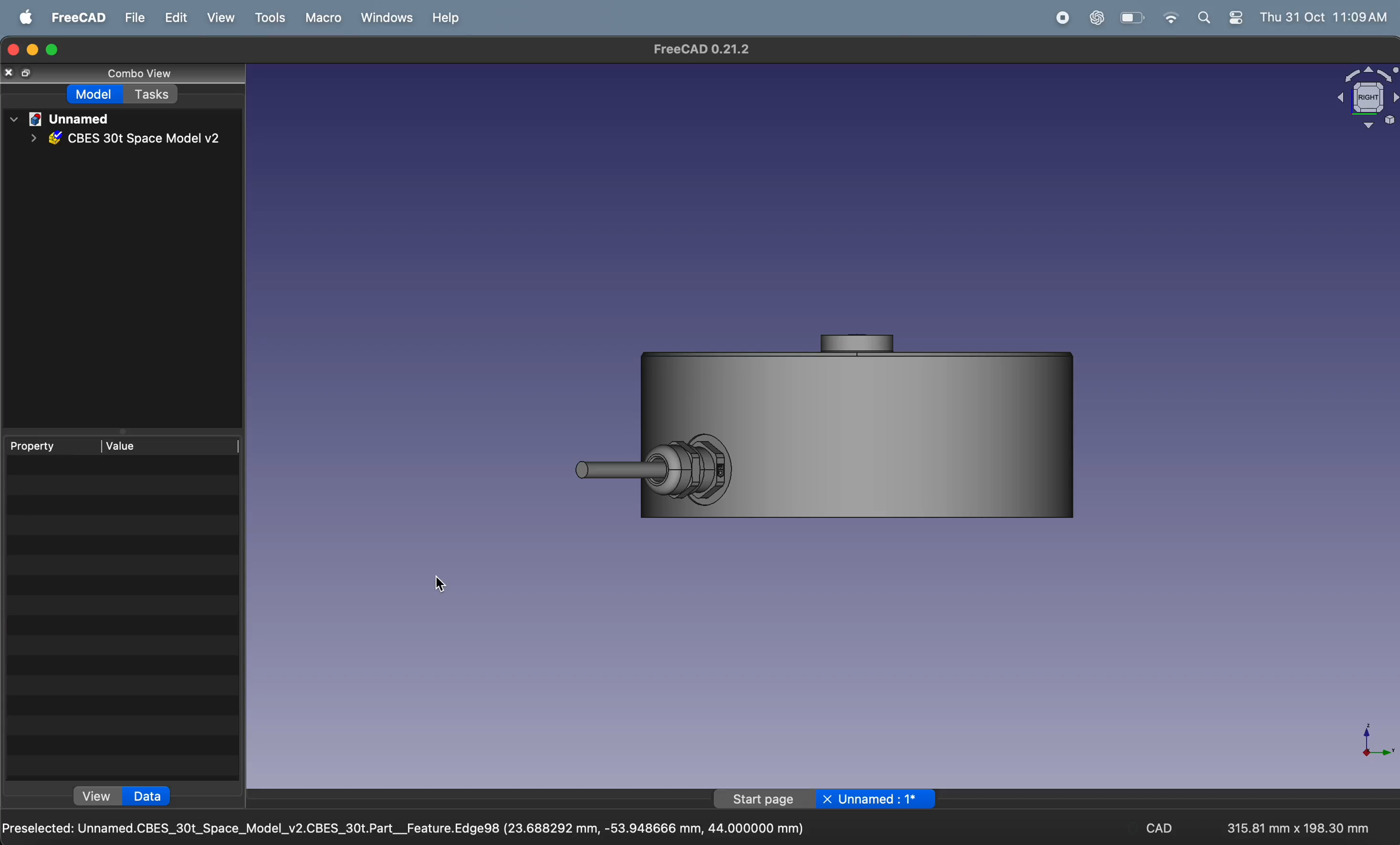 Image resolution: width=1400 pixels, height=845 pixels. What do you see at coordinates (1060, 18) in the screenshot?
I see `record` at bounding box center [1060, 18].